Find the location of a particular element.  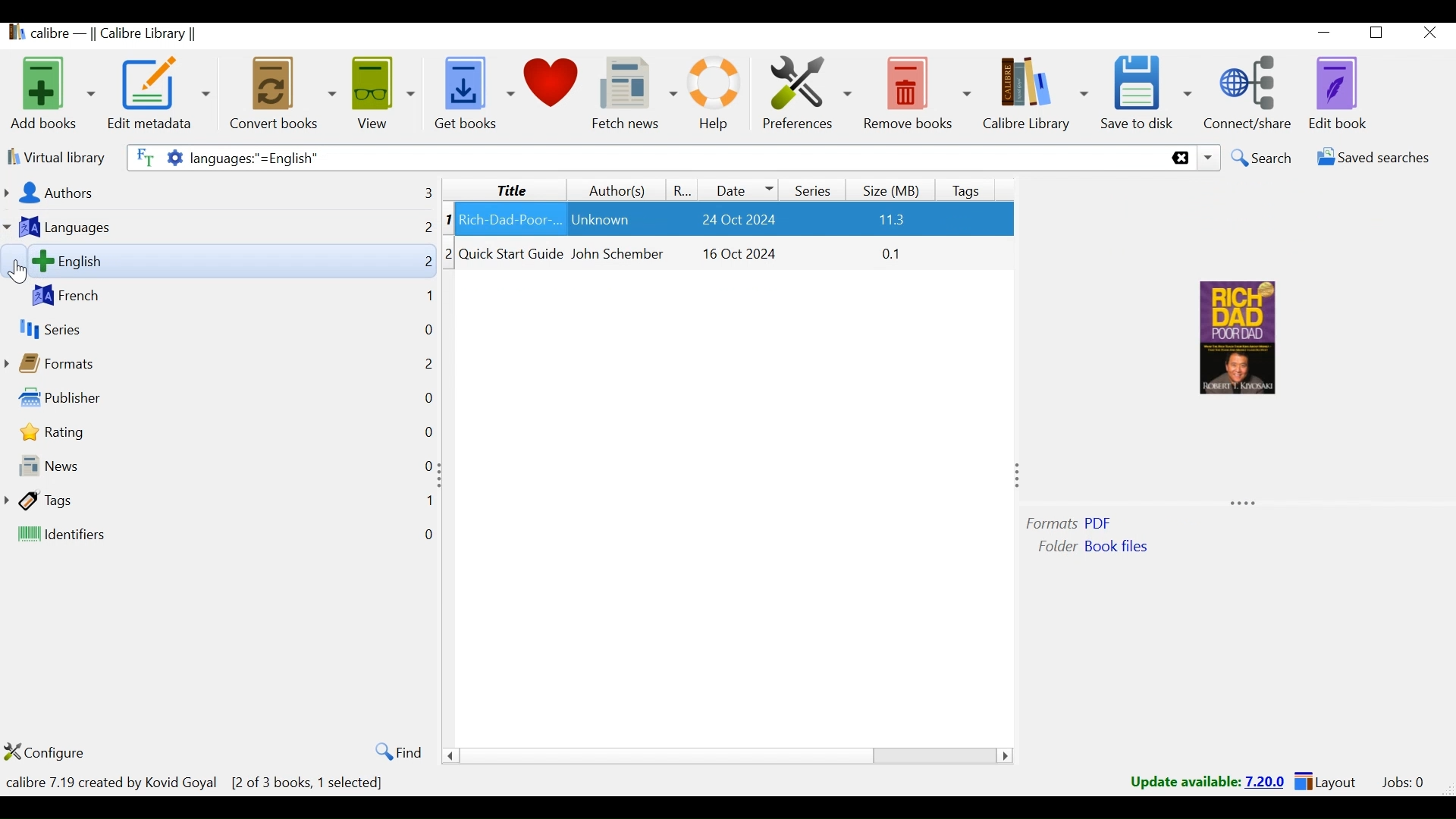

Calibre logo is located at coordinates (13, 35).